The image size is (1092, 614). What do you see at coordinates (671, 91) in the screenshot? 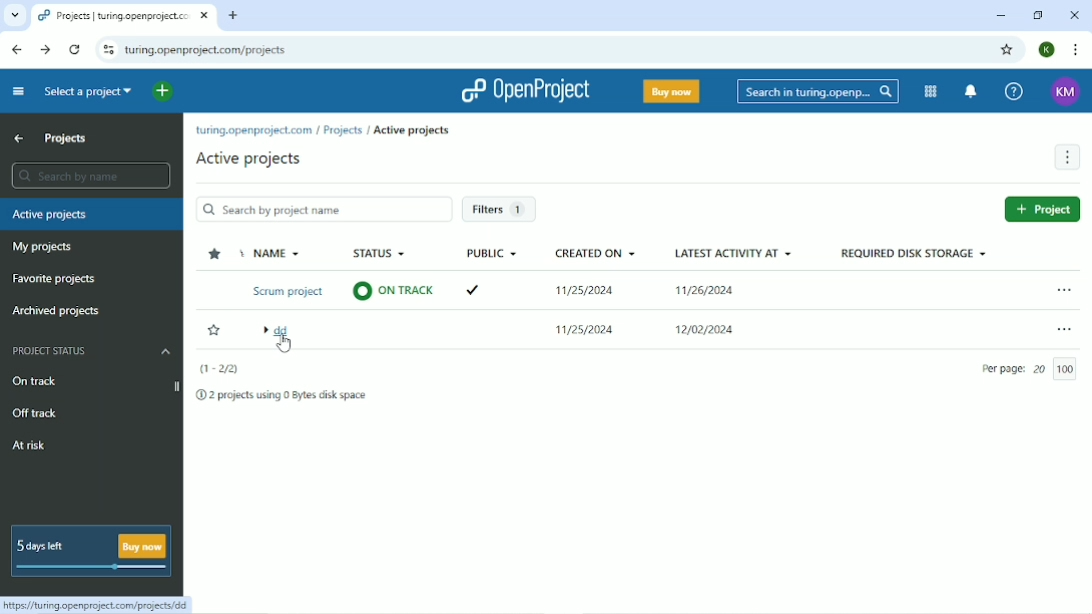
I see `Buy now` at bounding box center [671, 91].